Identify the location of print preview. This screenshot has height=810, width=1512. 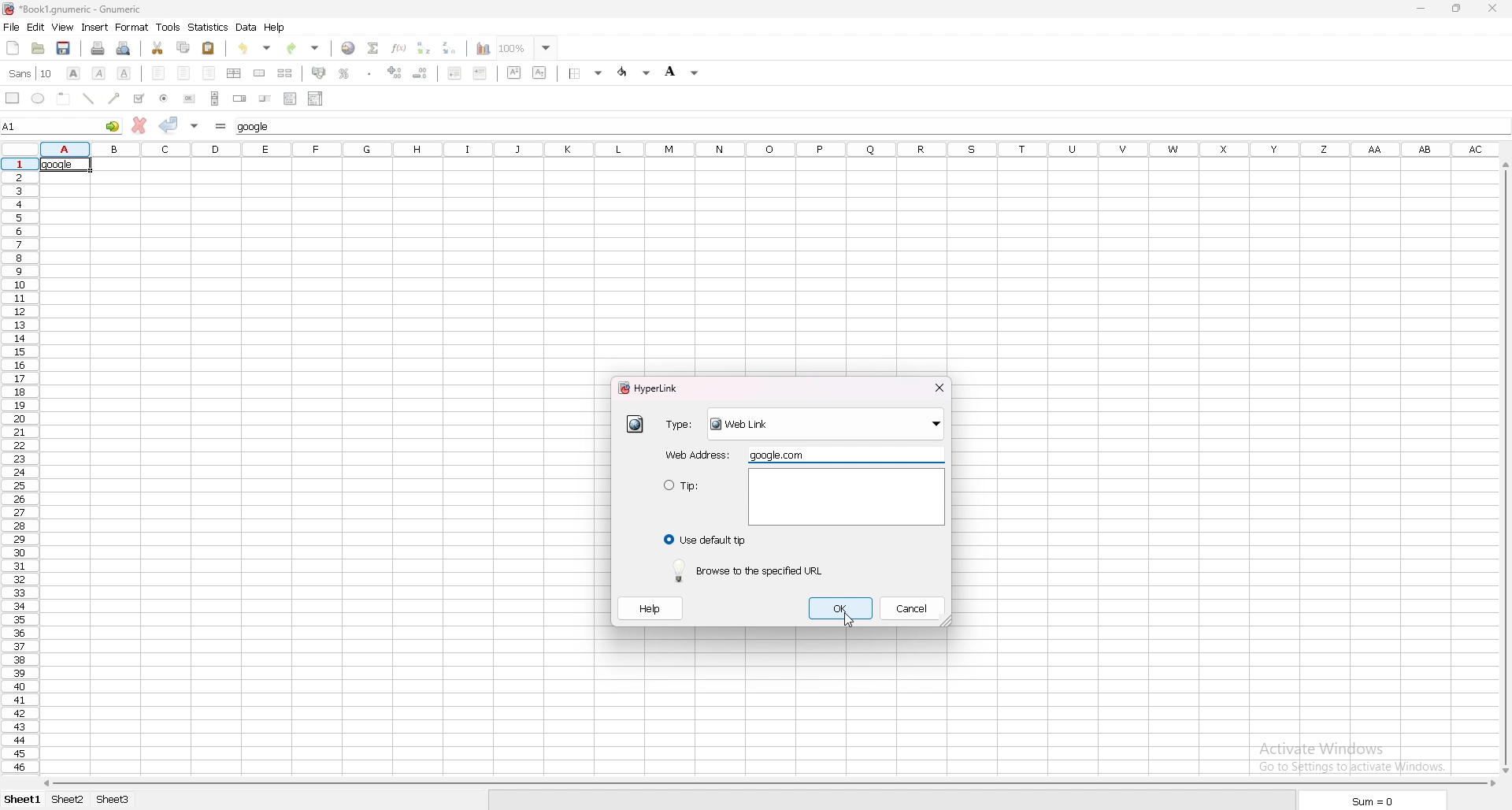
(125, 48).